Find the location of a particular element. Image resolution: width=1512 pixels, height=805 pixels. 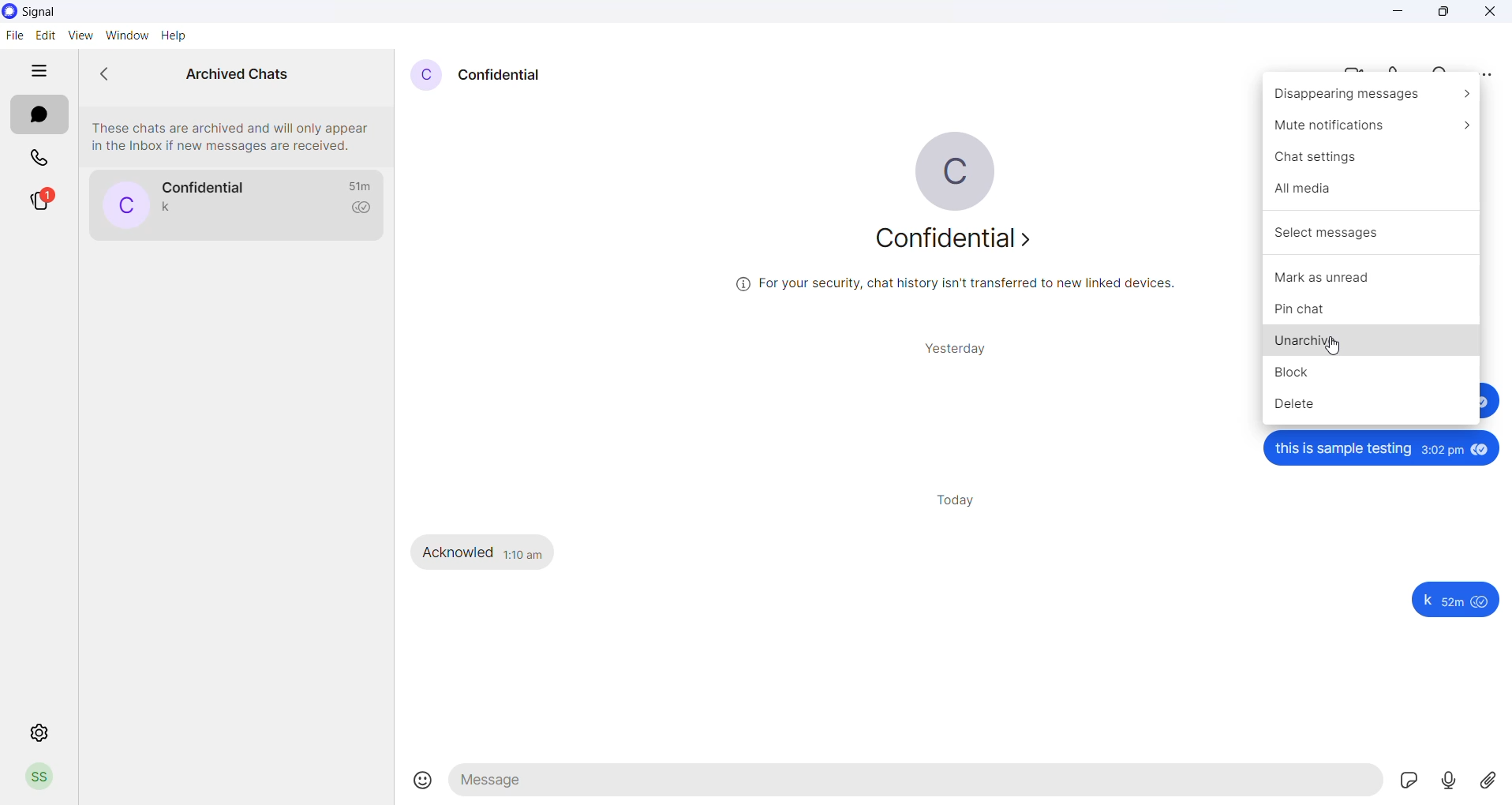

read recipient is located at coordinates (362, 208).